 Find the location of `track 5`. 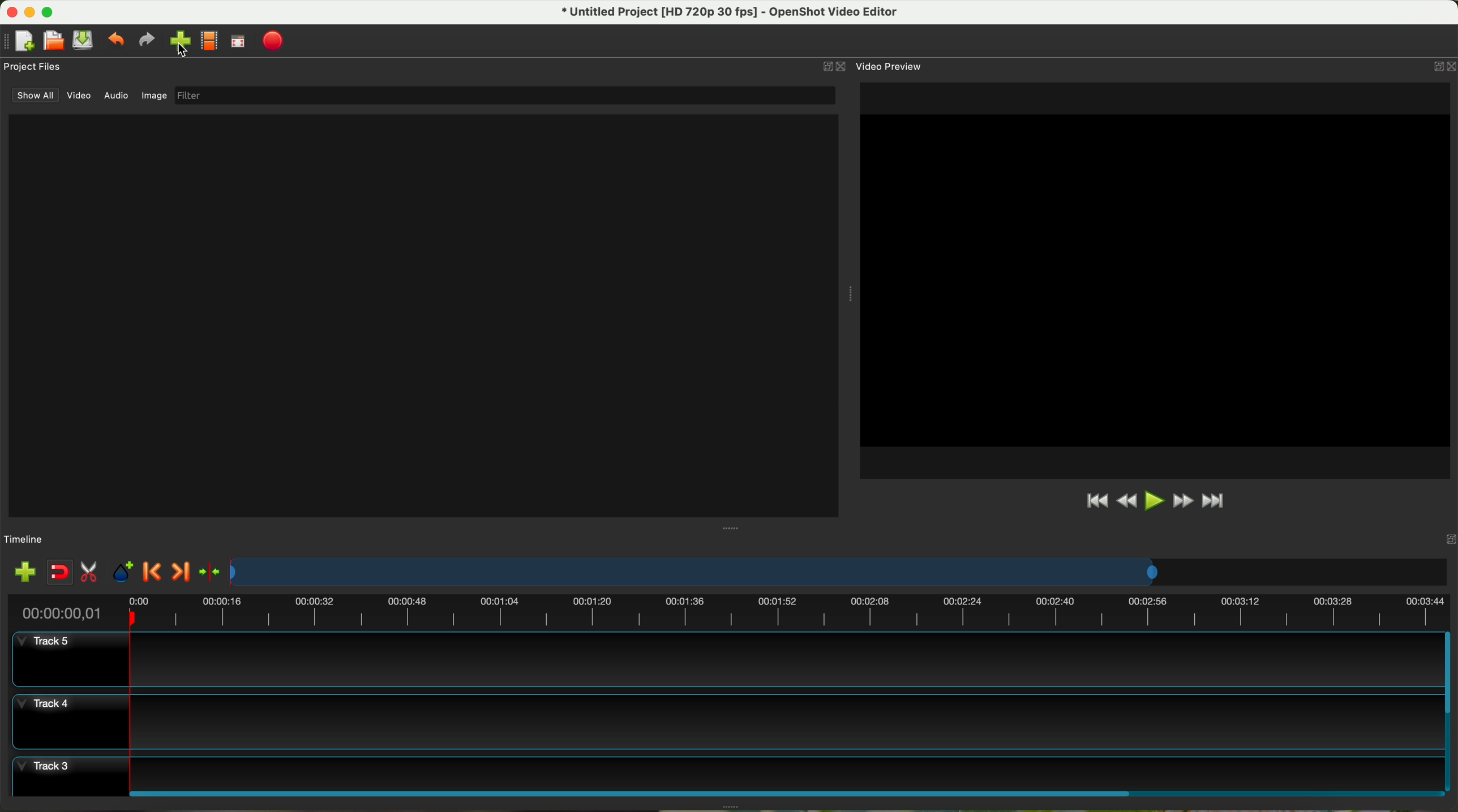

track 5 is located at coordinates (730, 660).